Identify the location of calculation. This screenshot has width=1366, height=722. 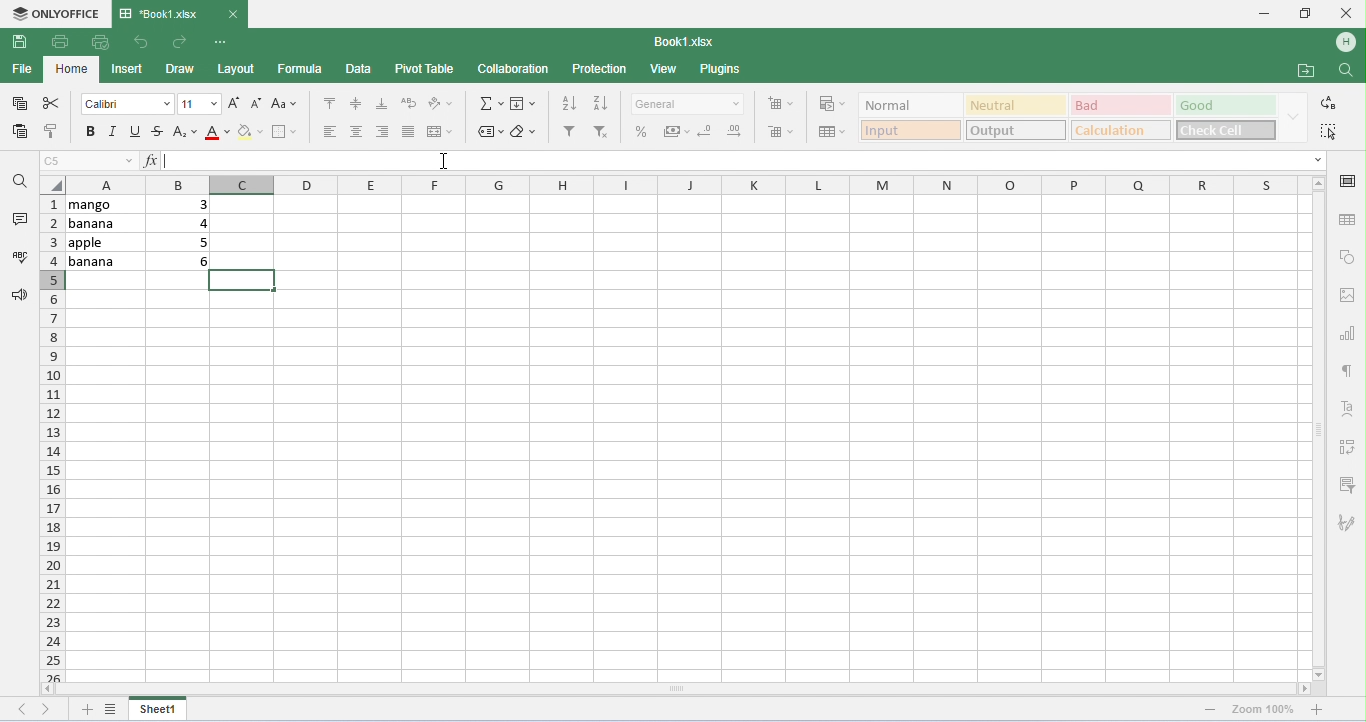
(1120, 130).